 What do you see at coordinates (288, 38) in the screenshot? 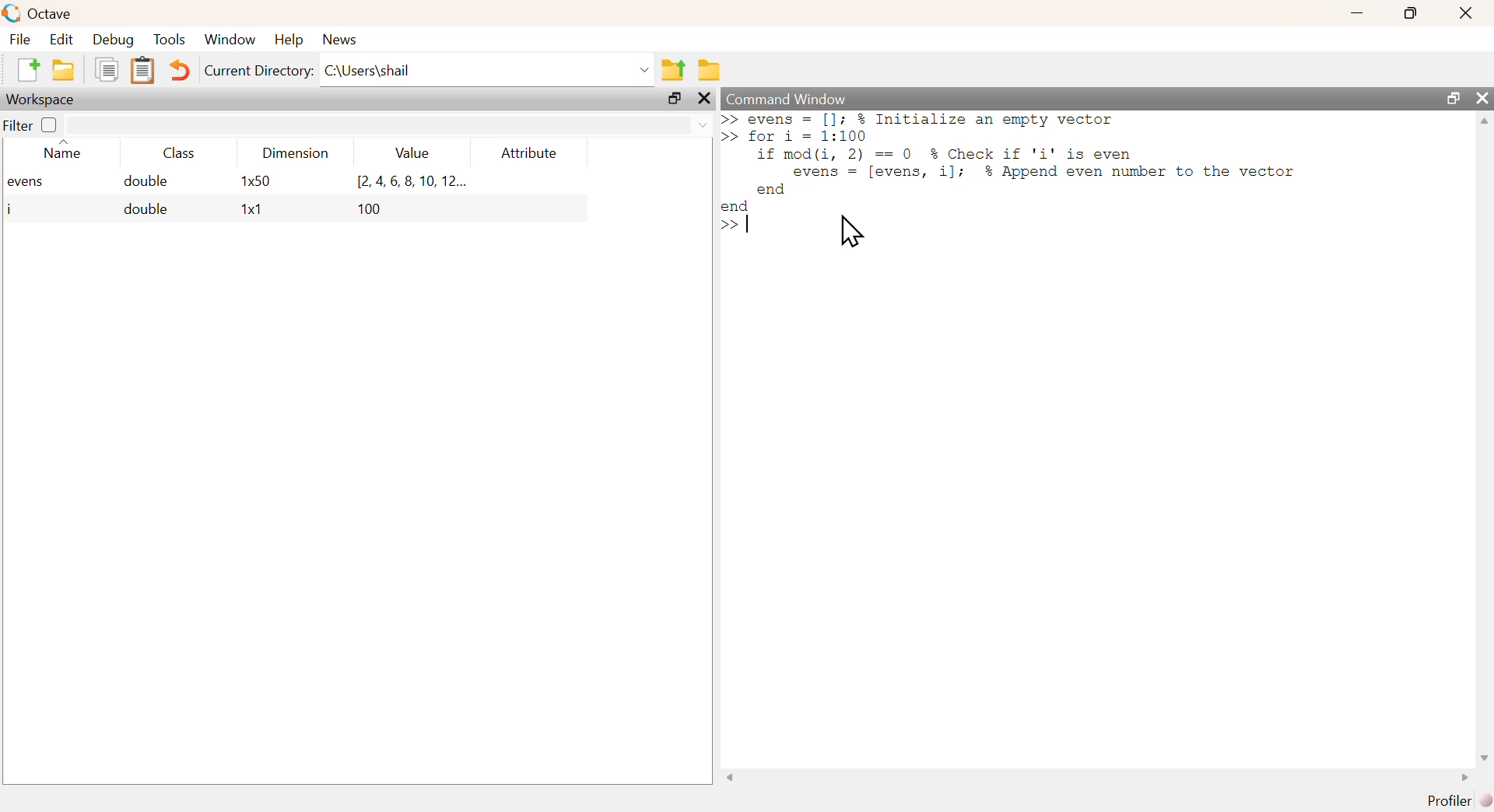
I see `help` at bounding box center [288, 38].